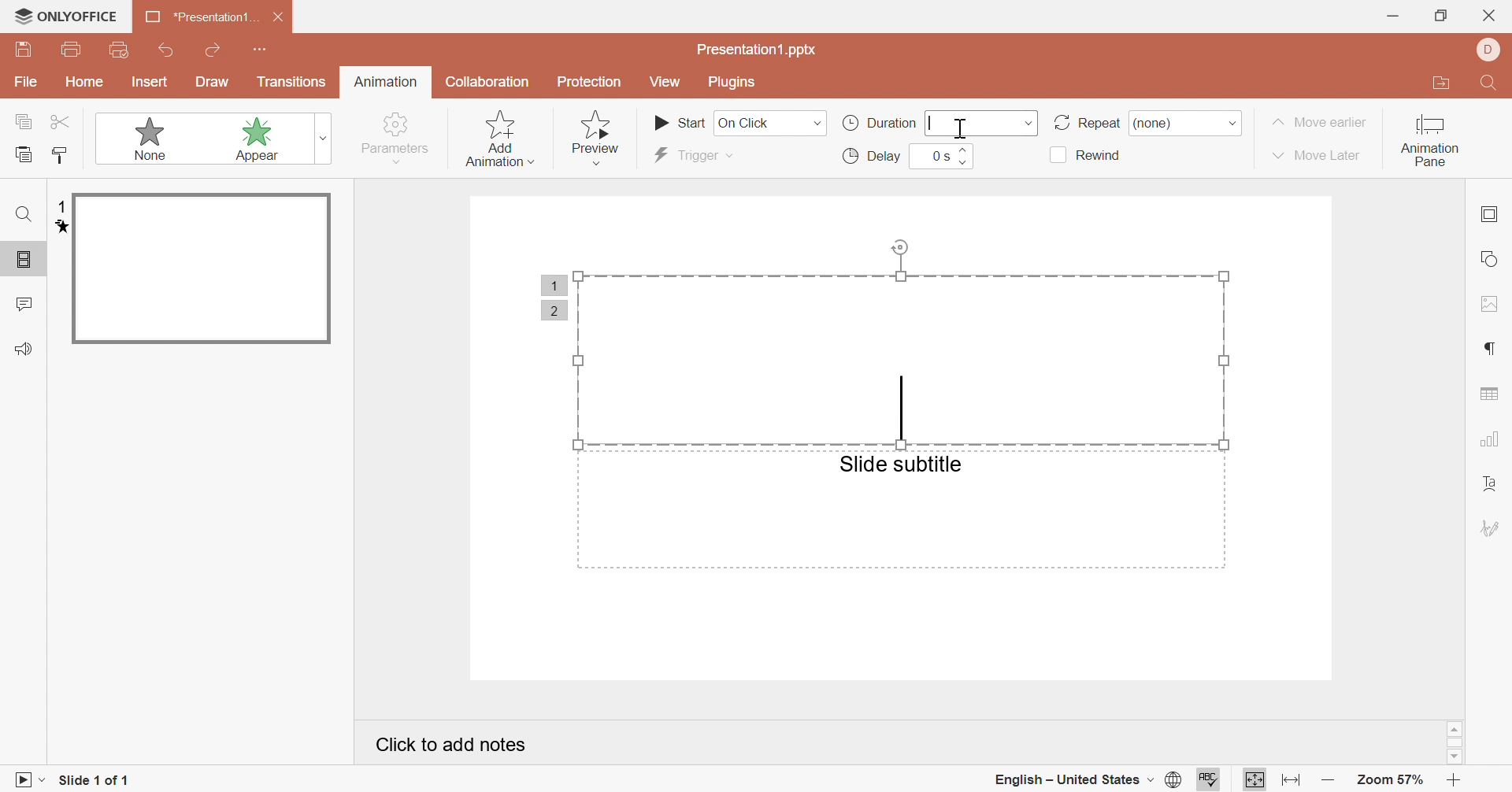 This screenshot has width=1512, height=792. Describe the element at coordinates (61, 207) in the screenshot. I see `1` at that location.